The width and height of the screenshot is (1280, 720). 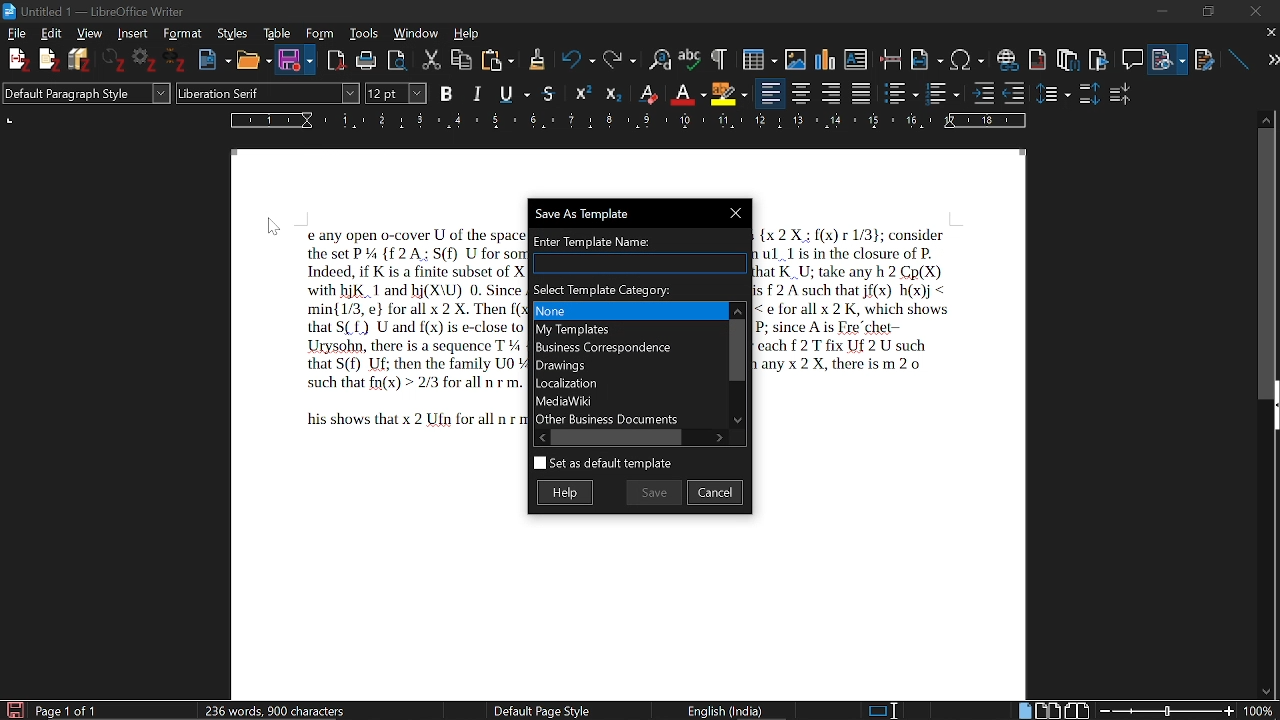 I want to click on Vertical scrollbar, so click(x=736, y=348).